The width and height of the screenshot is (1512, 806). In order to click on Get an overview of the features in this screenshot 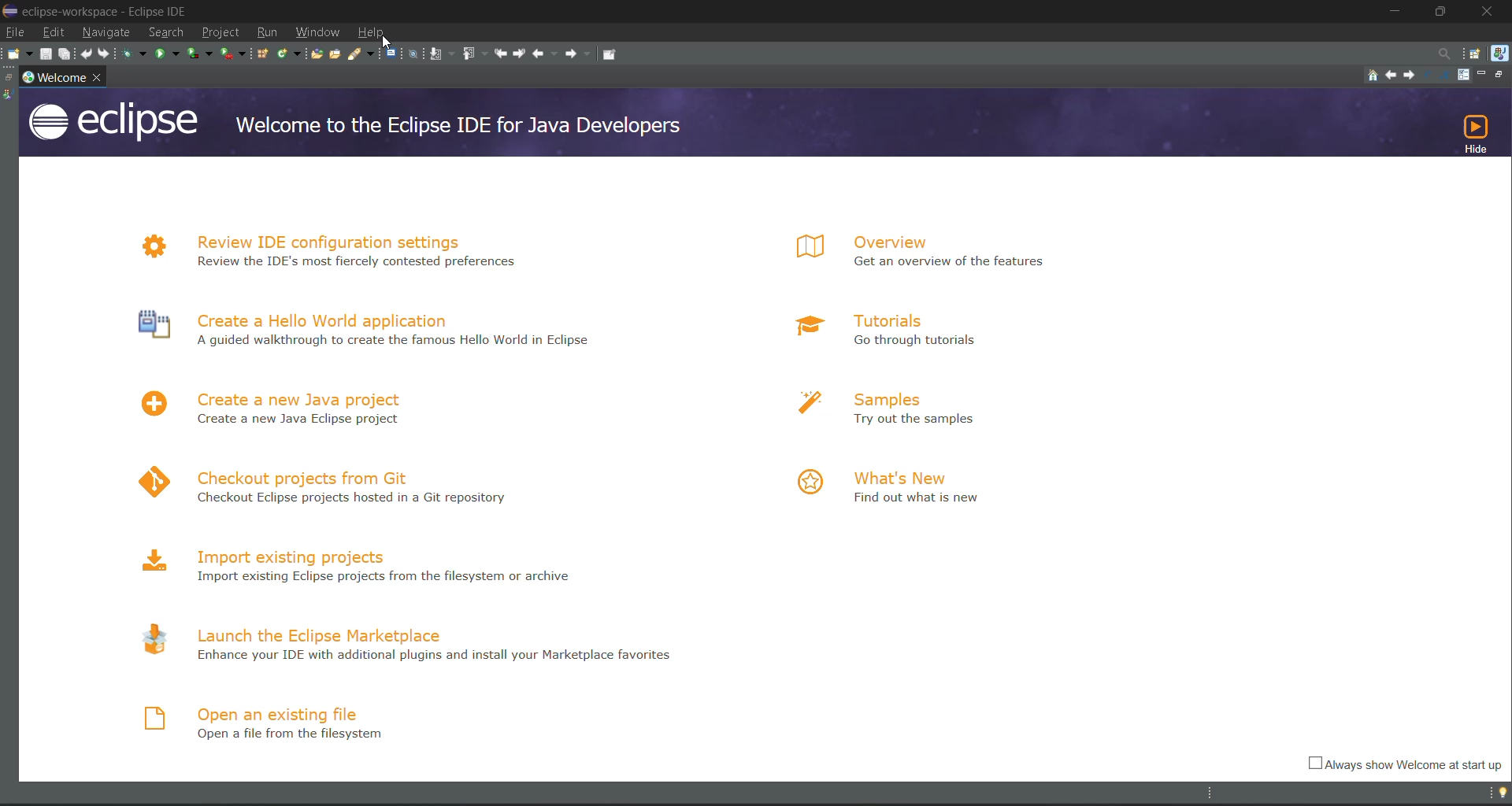, I will do `click(954, 264)`.